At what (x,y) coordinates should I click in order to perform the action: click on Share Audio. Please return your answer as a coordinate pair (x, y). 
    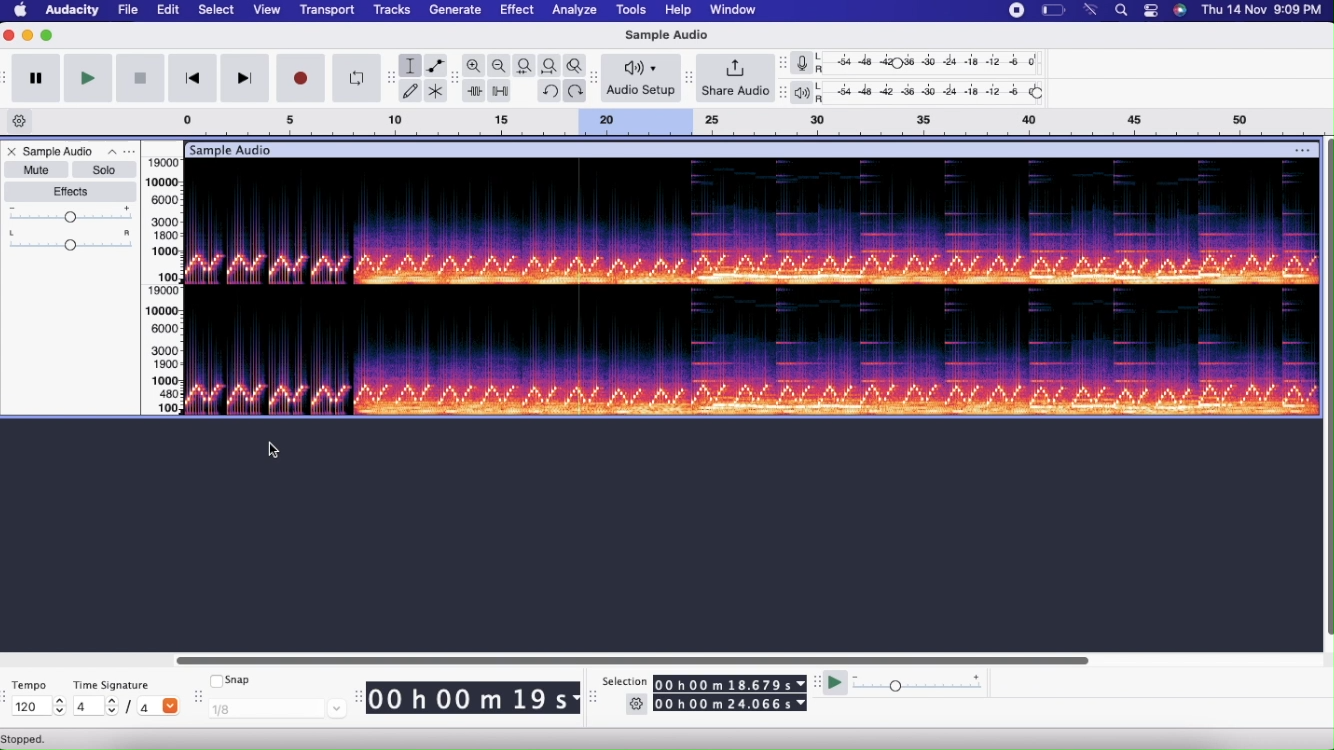
    Looking at the image, I should click on (737, 77).